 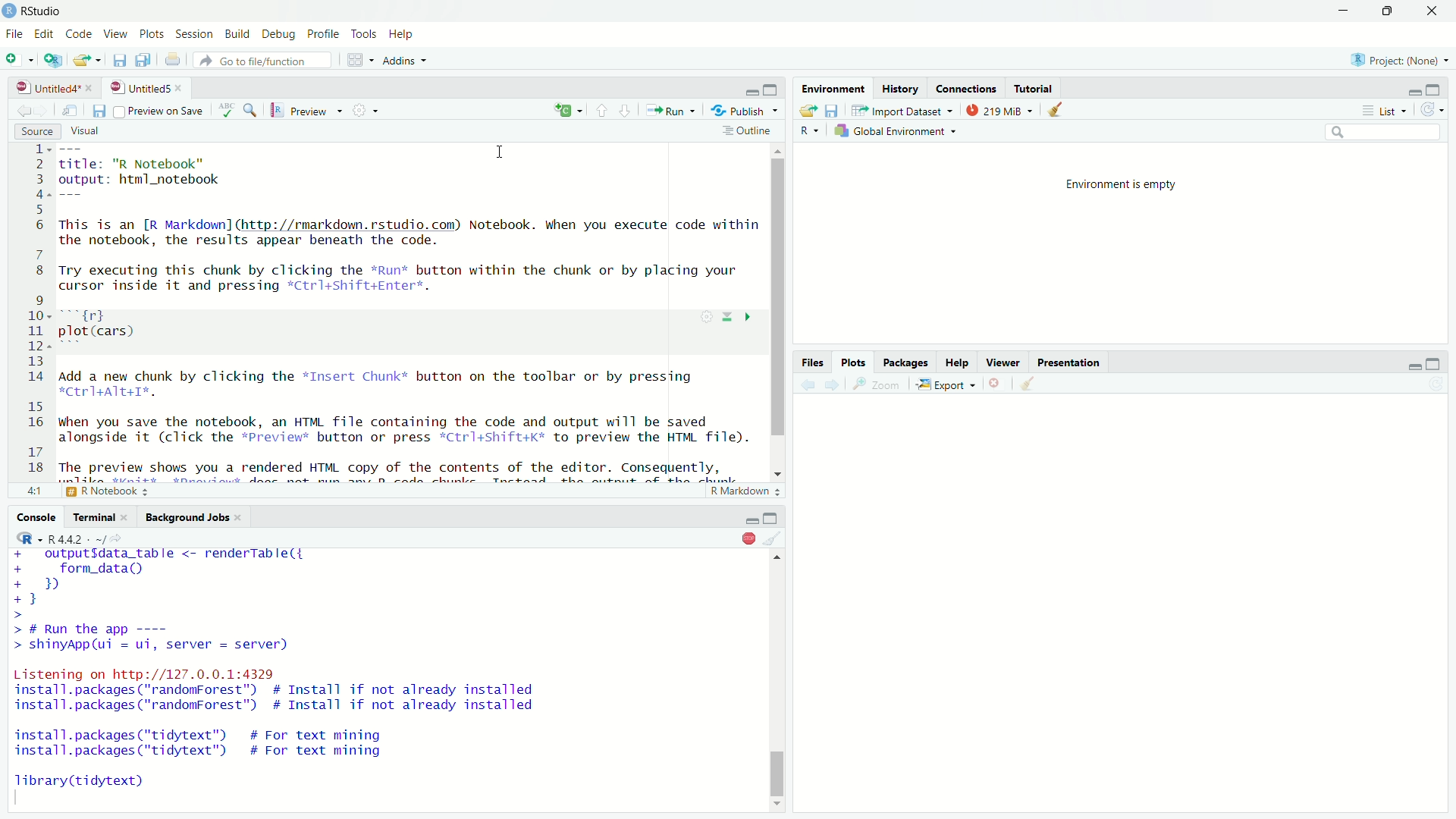 I want to click on save current document, so click(x=99, y=110).